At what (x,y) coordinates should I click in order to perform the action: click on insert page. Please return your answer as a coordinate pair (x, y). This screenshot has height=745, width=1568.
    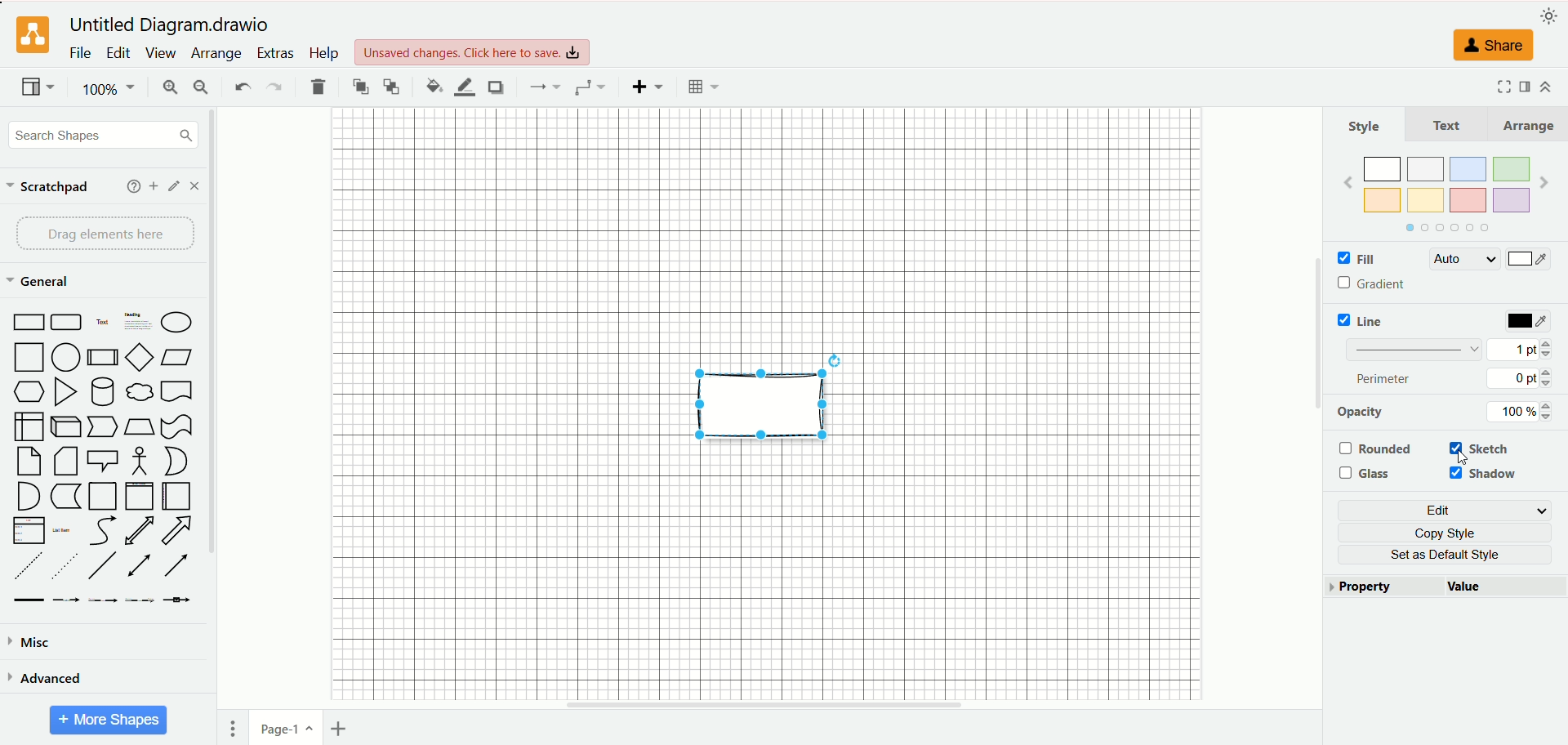
    Looking at the image, I should click on (342, 729).